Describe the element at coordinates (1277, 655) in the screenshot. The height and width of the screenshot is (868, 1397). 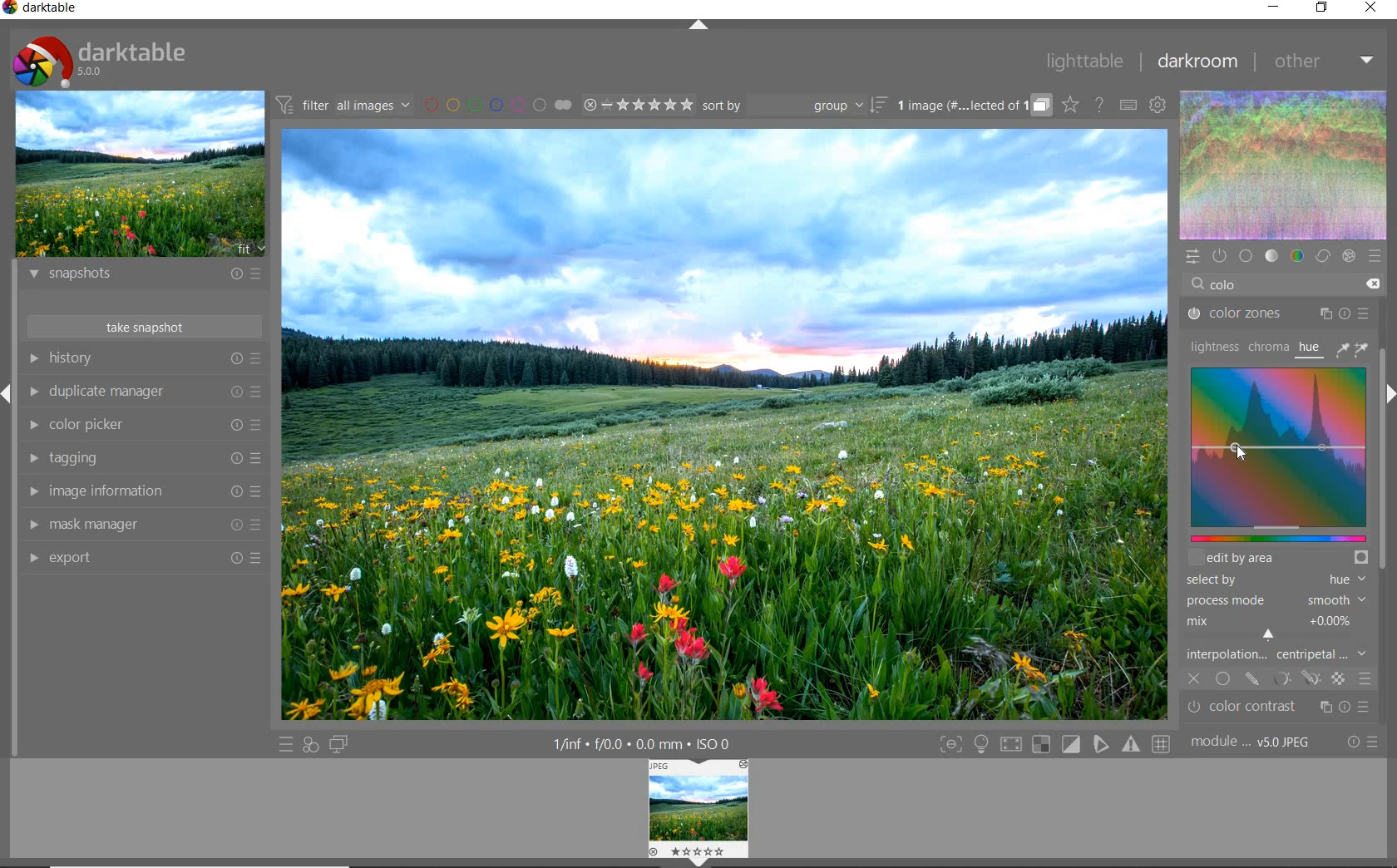
I see `interpolation` at that location.